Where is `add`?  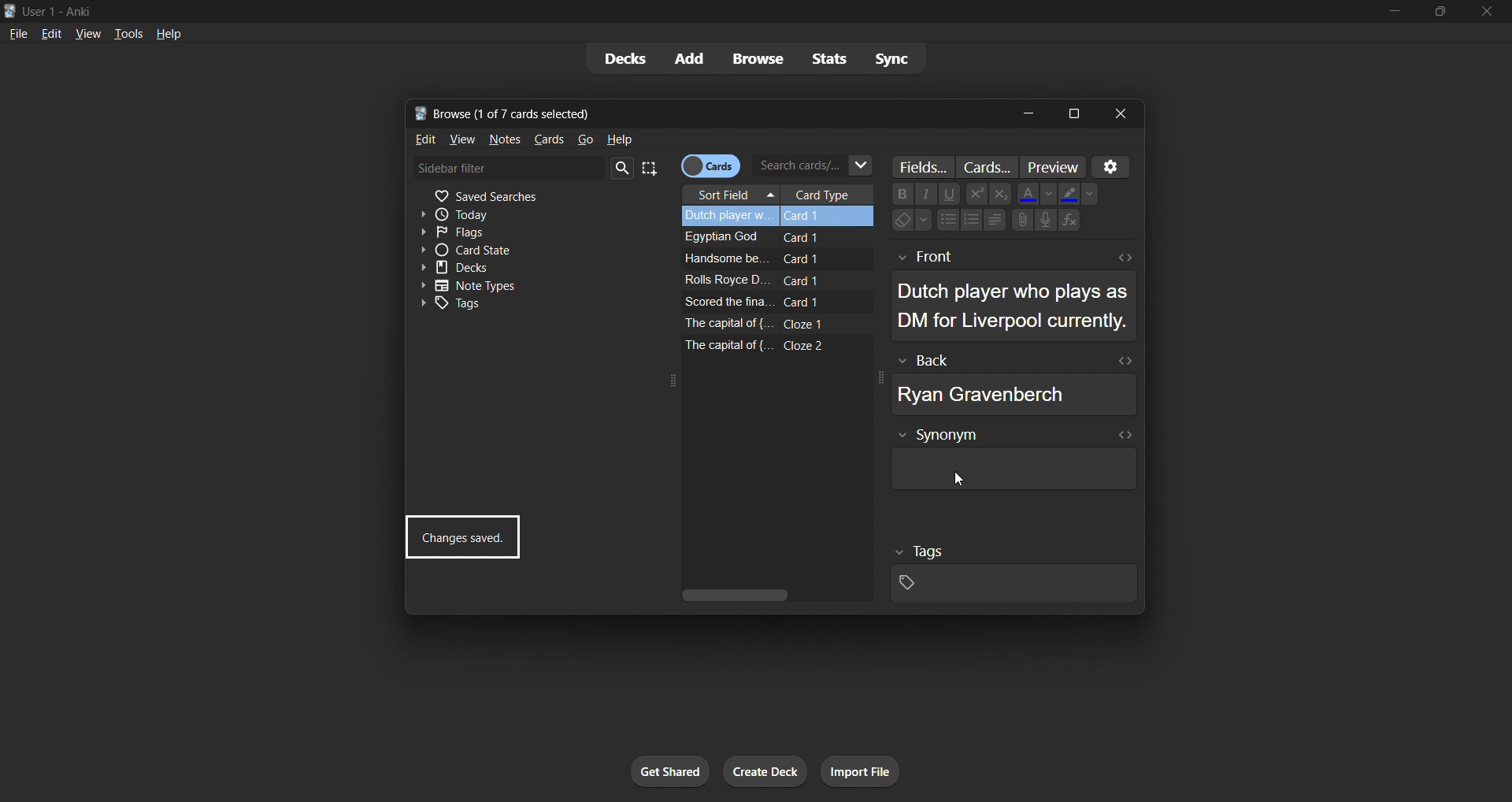
add is located at coordinates (691, 58).